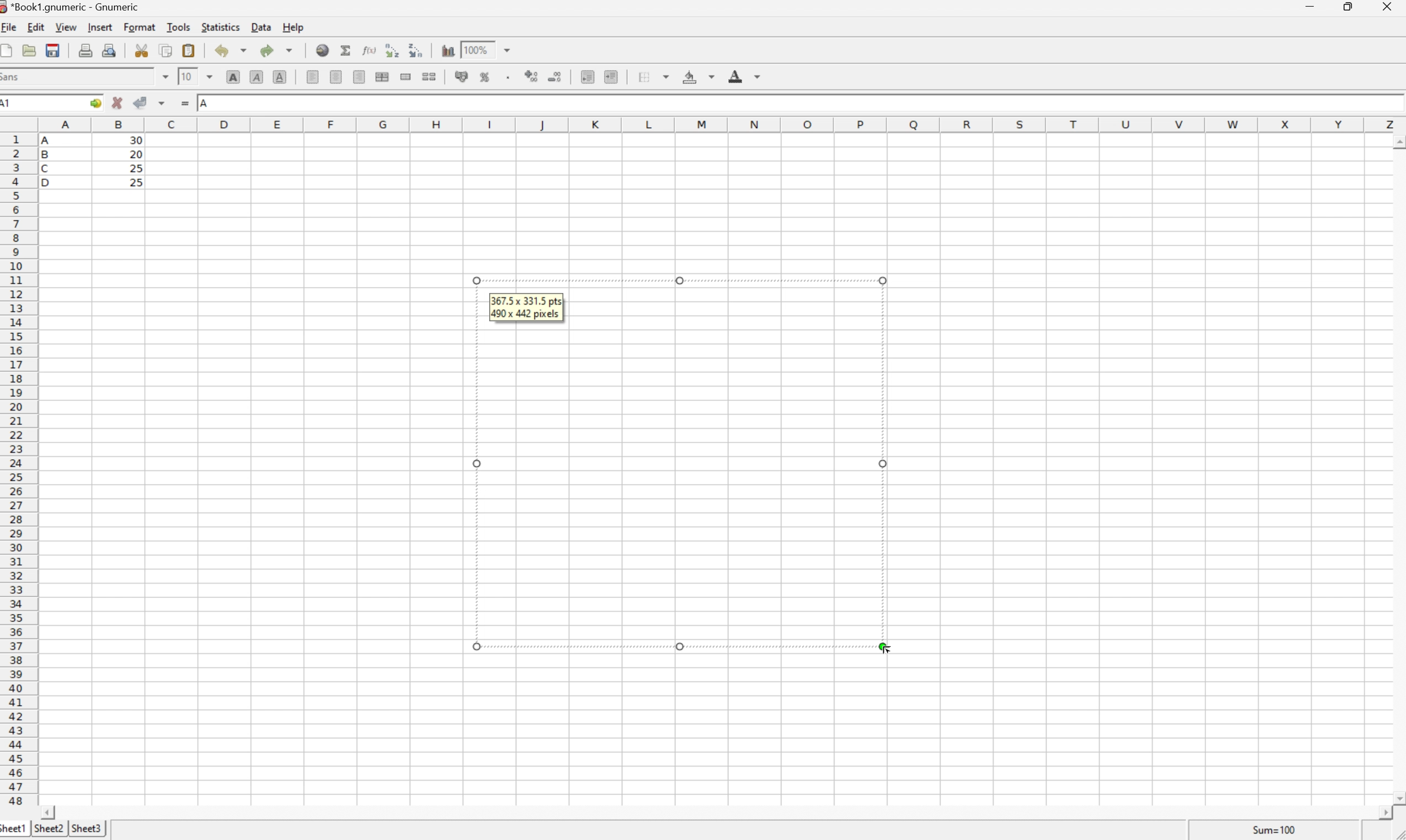 This screenshot has height=840, width=1406. I want to click on Print preview, so click(110, 49).